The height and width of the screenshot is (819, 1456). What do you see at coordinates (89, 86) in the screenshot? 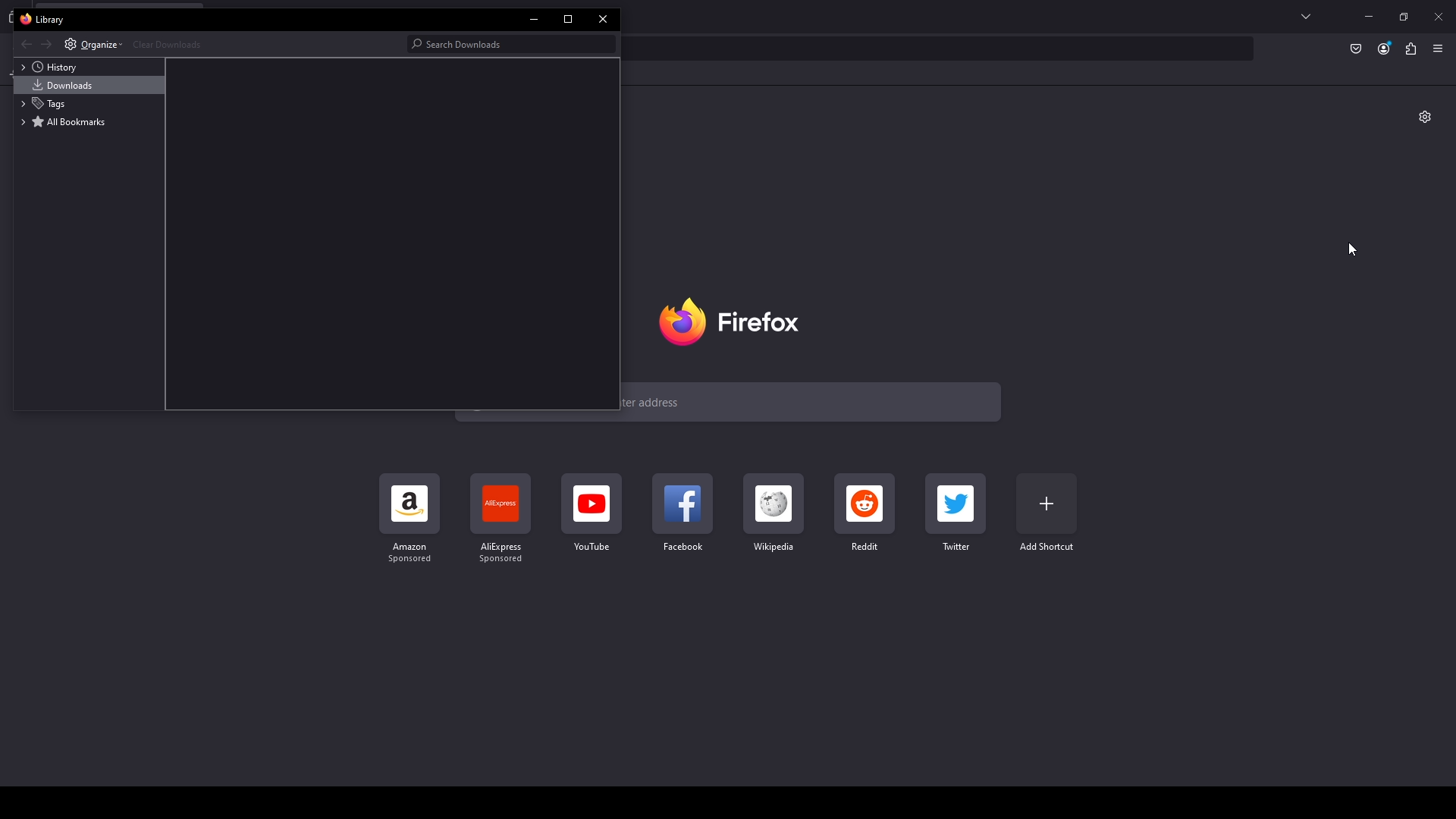
I see `Downloads` at bounding box center [89, 86].